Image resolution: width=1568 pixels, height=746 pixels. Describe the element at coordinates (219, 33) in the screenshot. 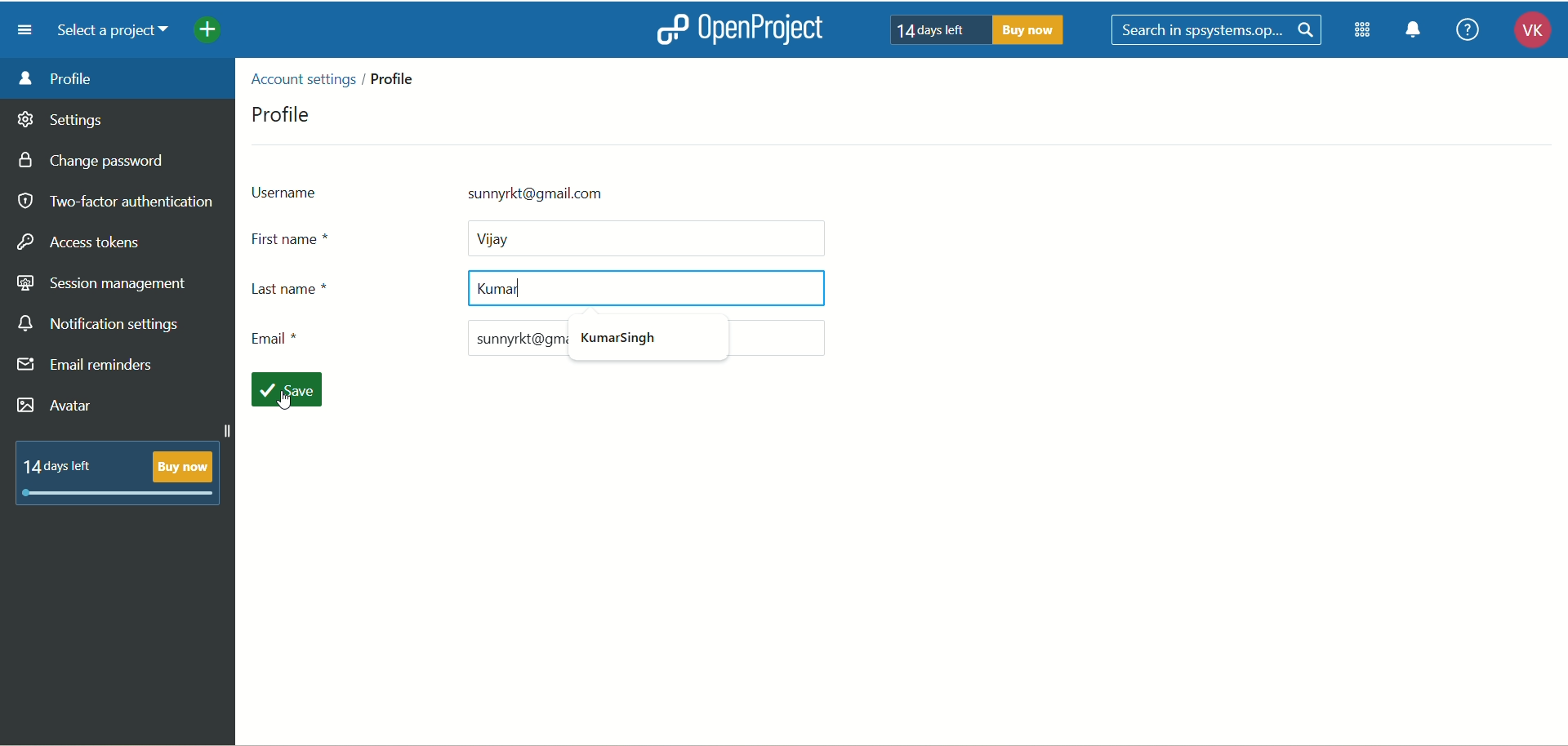

I see `add project` at that location.